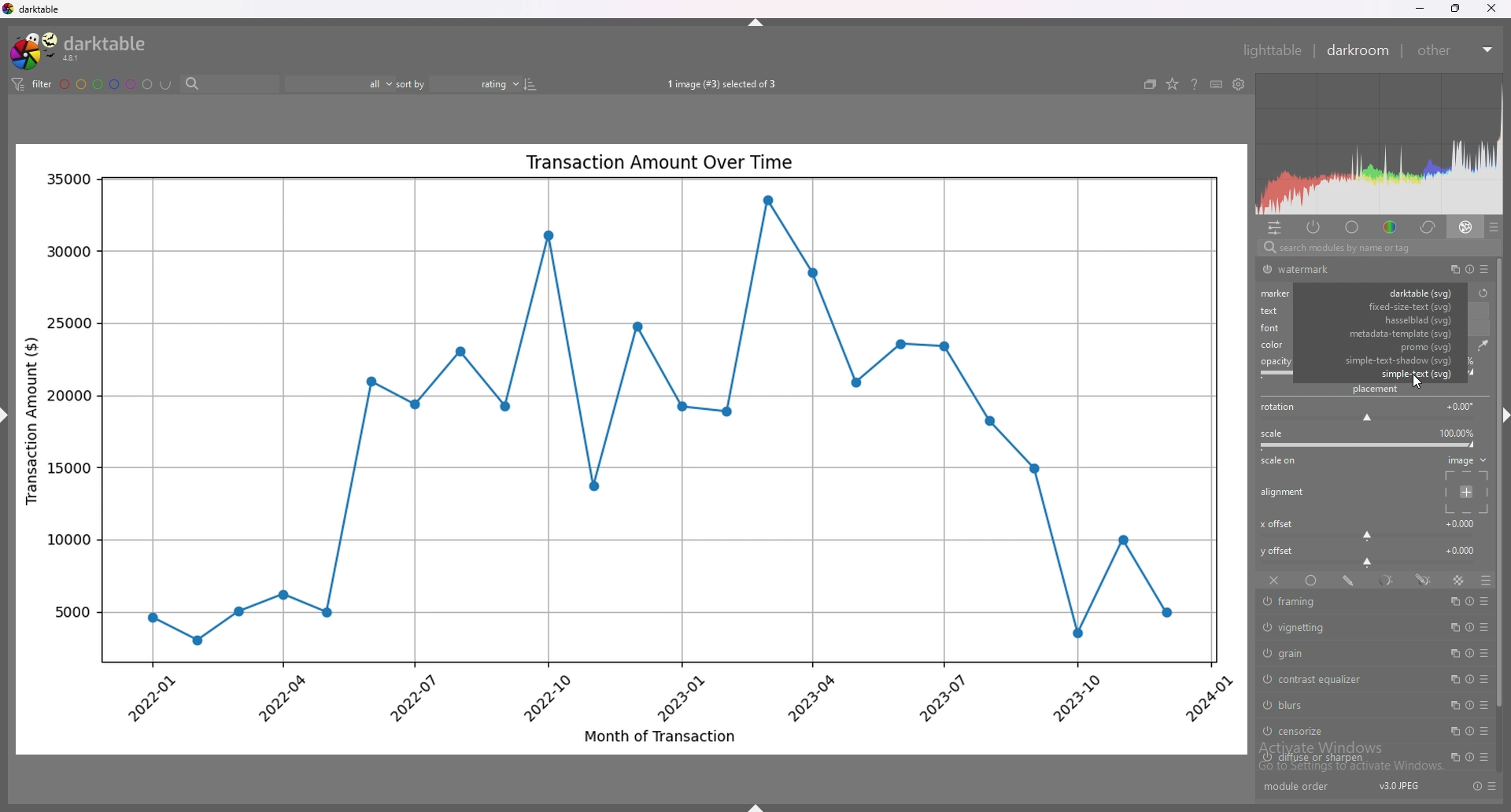 Image resolution: width=1511 pixels, height=812 pixels. What do you see at coordinates (1454, 654) in the screenshot?
I see `multiple instances action` at bounding box center [1454, 654].